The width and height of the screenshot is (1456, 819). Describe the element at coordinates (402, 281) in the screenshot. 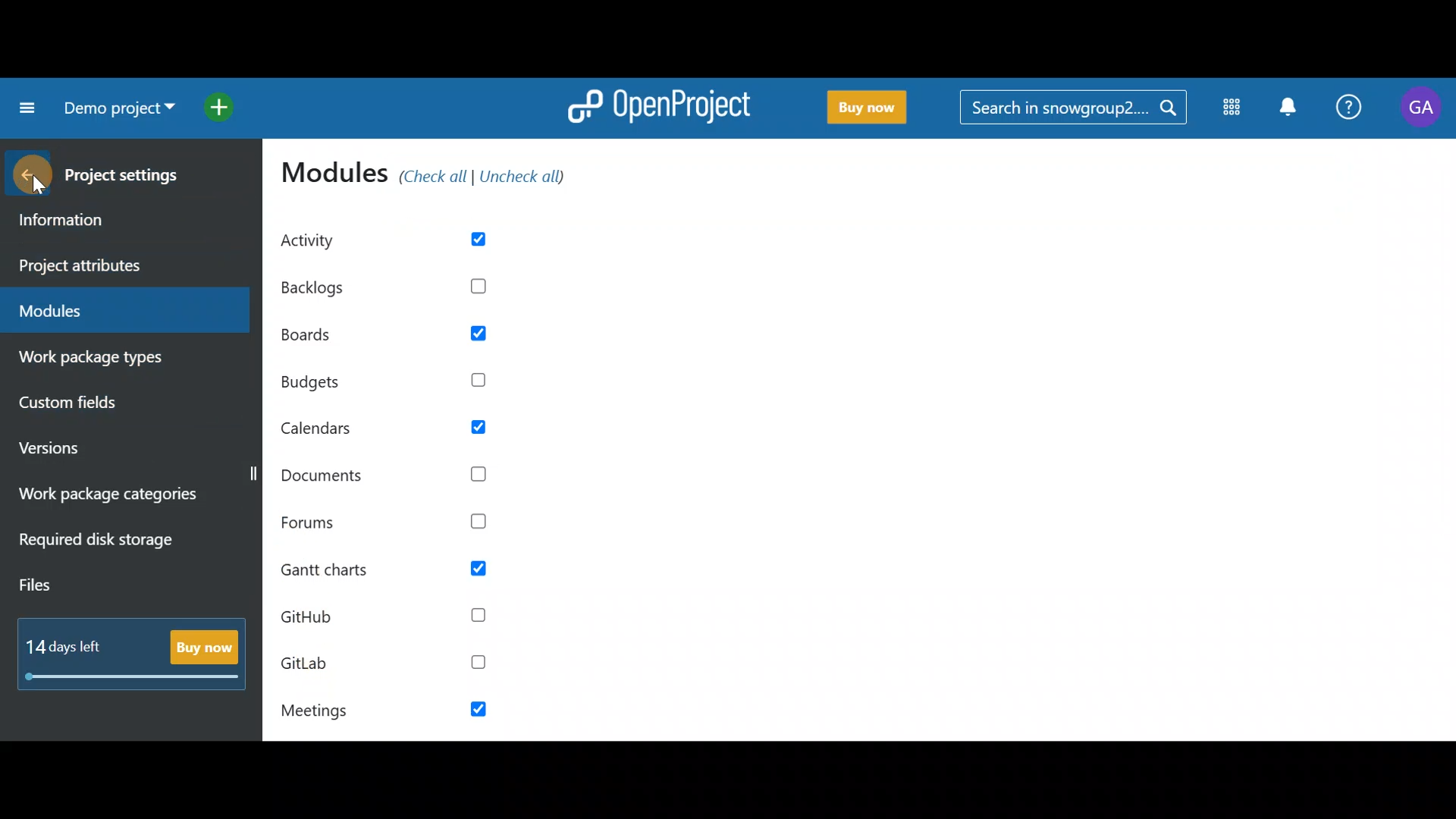

I see `Backlogs` at that location.